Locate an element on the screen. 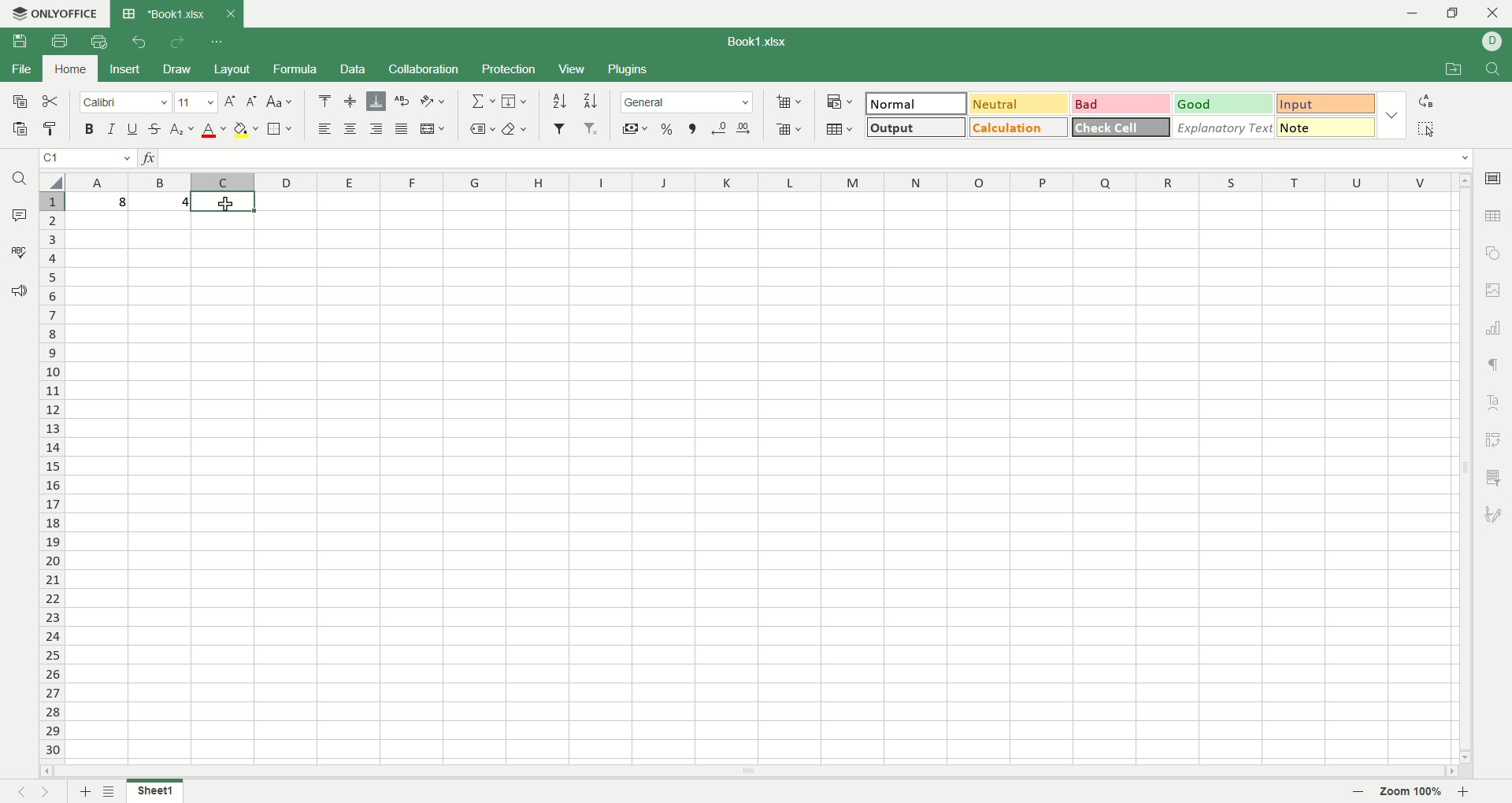 The width and height of the screenshot is (1512, 803). open file location is located at coordinates (1458, 68).